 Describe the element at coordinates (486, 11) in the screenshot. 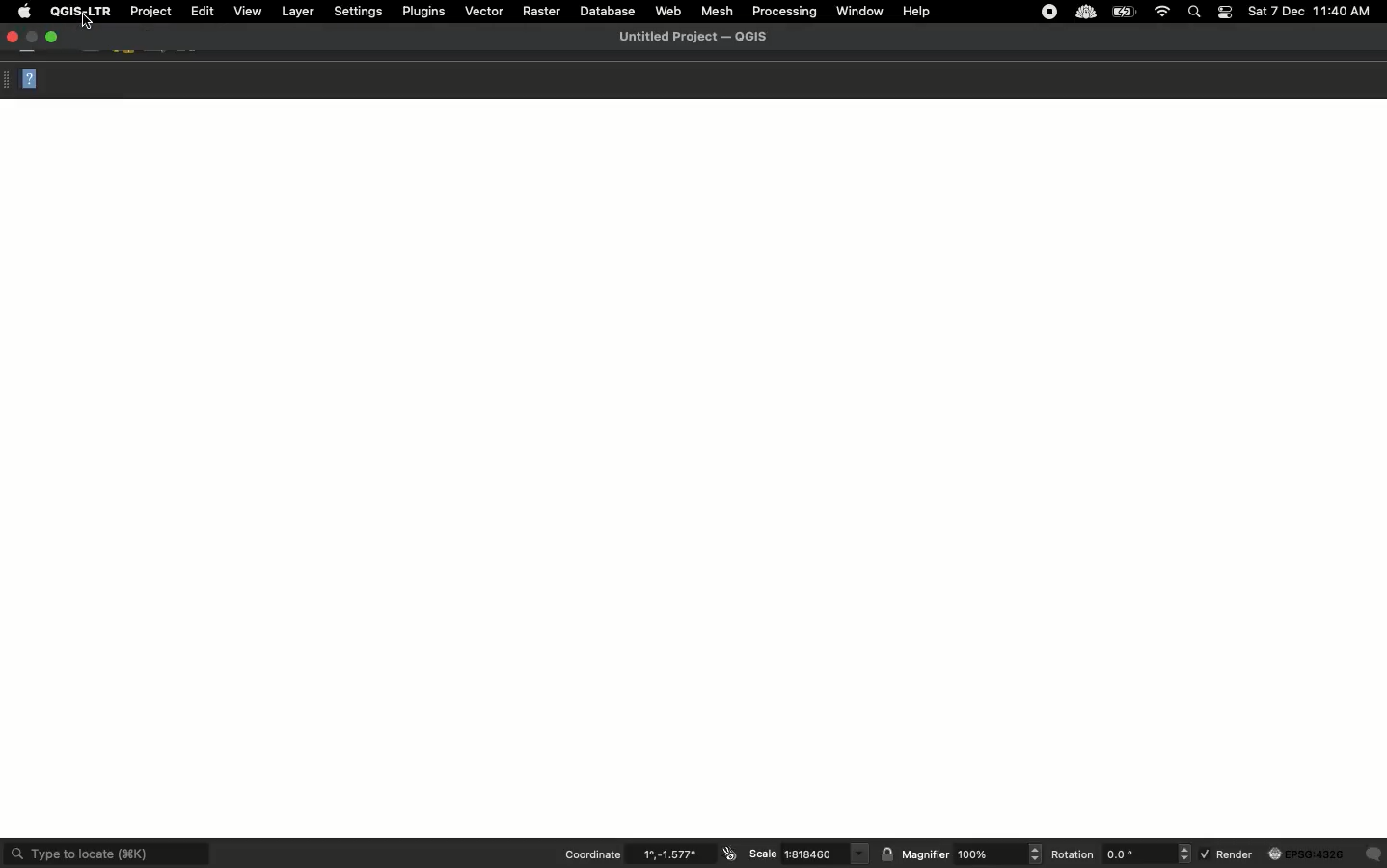

I see `Vector` at that location.